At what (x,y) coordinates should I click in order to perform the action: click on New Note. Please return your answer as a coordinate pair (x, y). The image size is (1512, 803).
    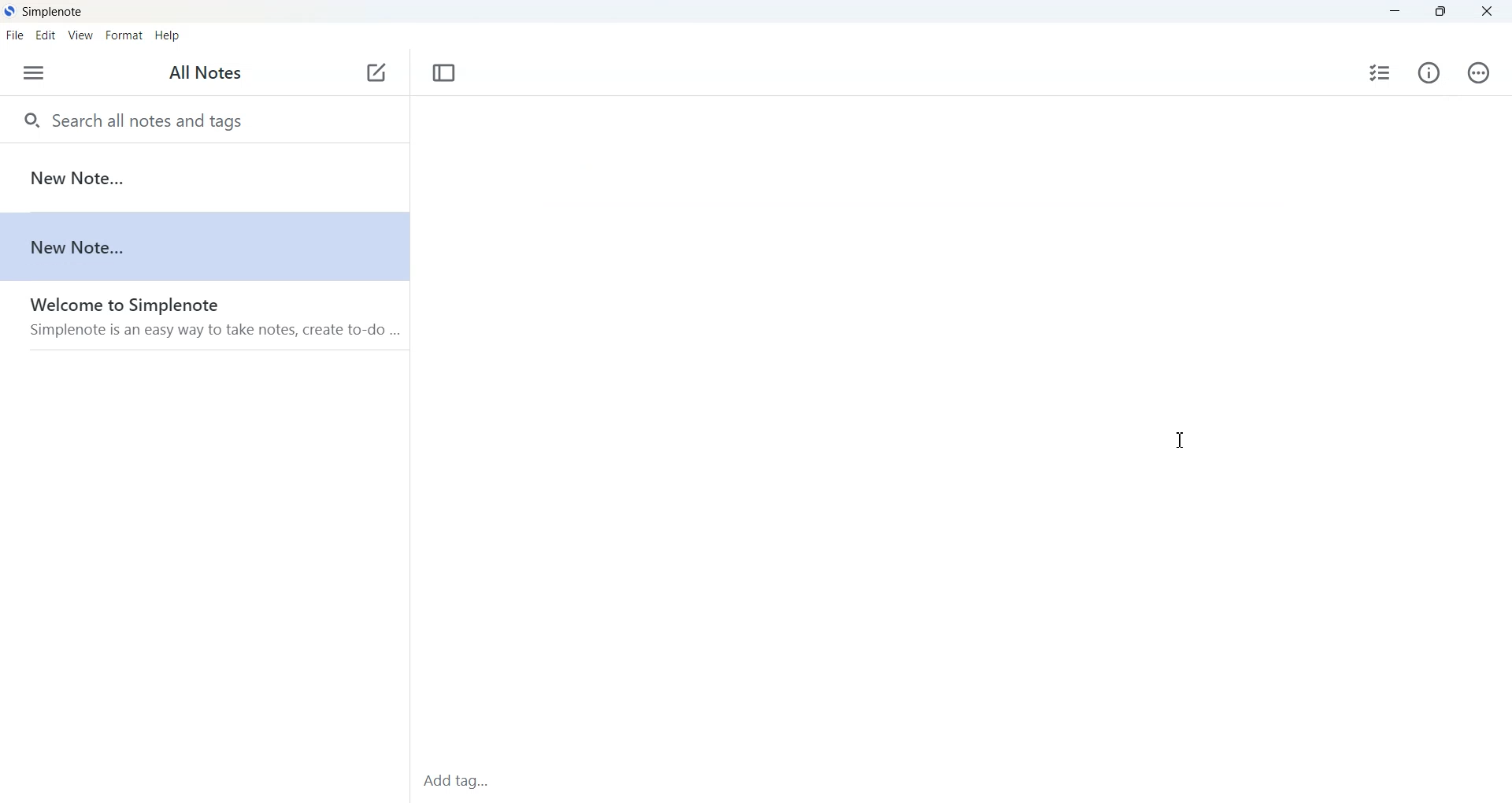
    Looking at the image, I should click on (203, 246).